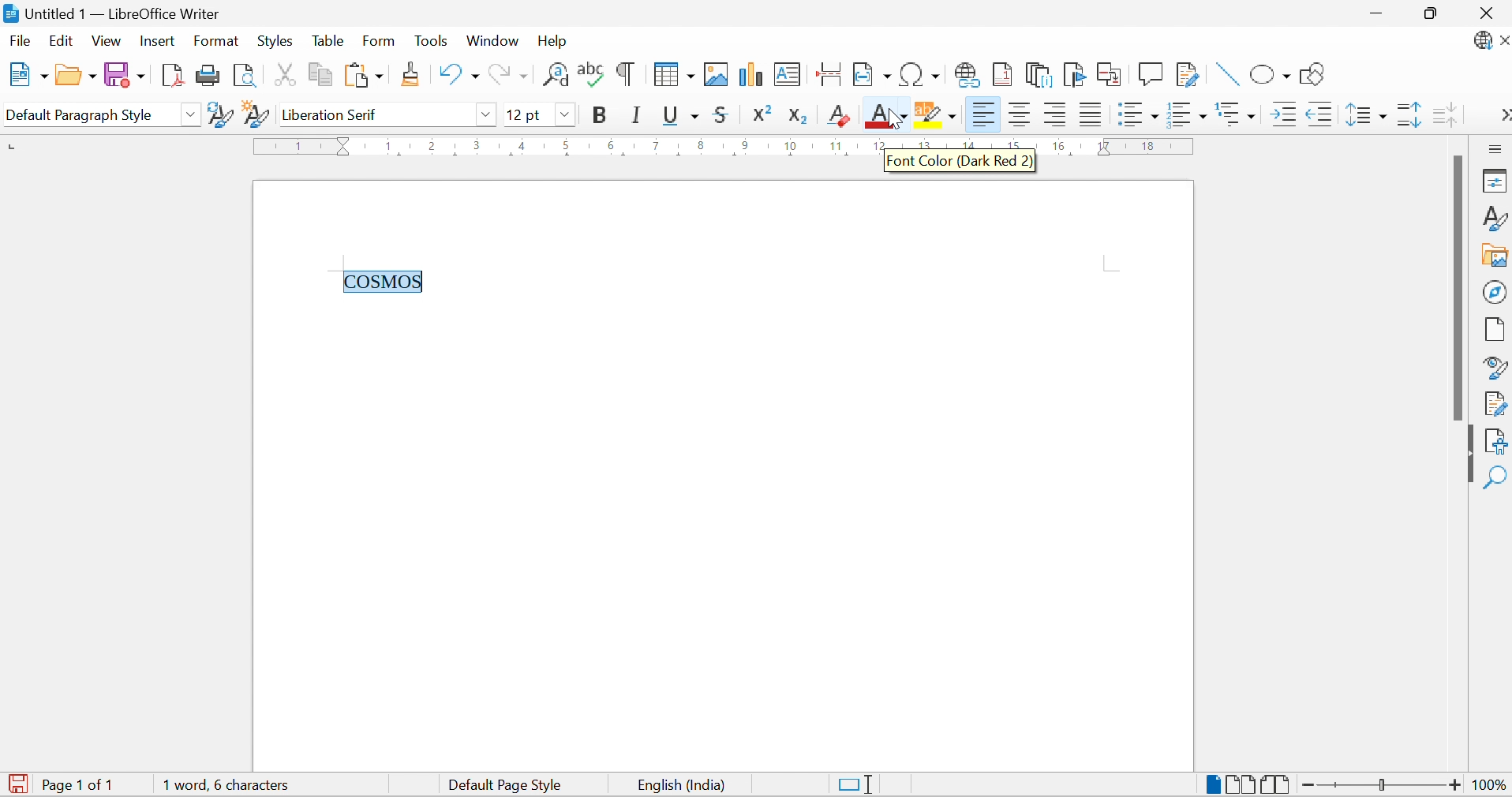 Image resolution: width=1512 pixels, height=797 pixels. What do you see at coordinates (967, 74) in the screenshot?
I see `Insert Hyperlink` at bounding box center [967, 74].